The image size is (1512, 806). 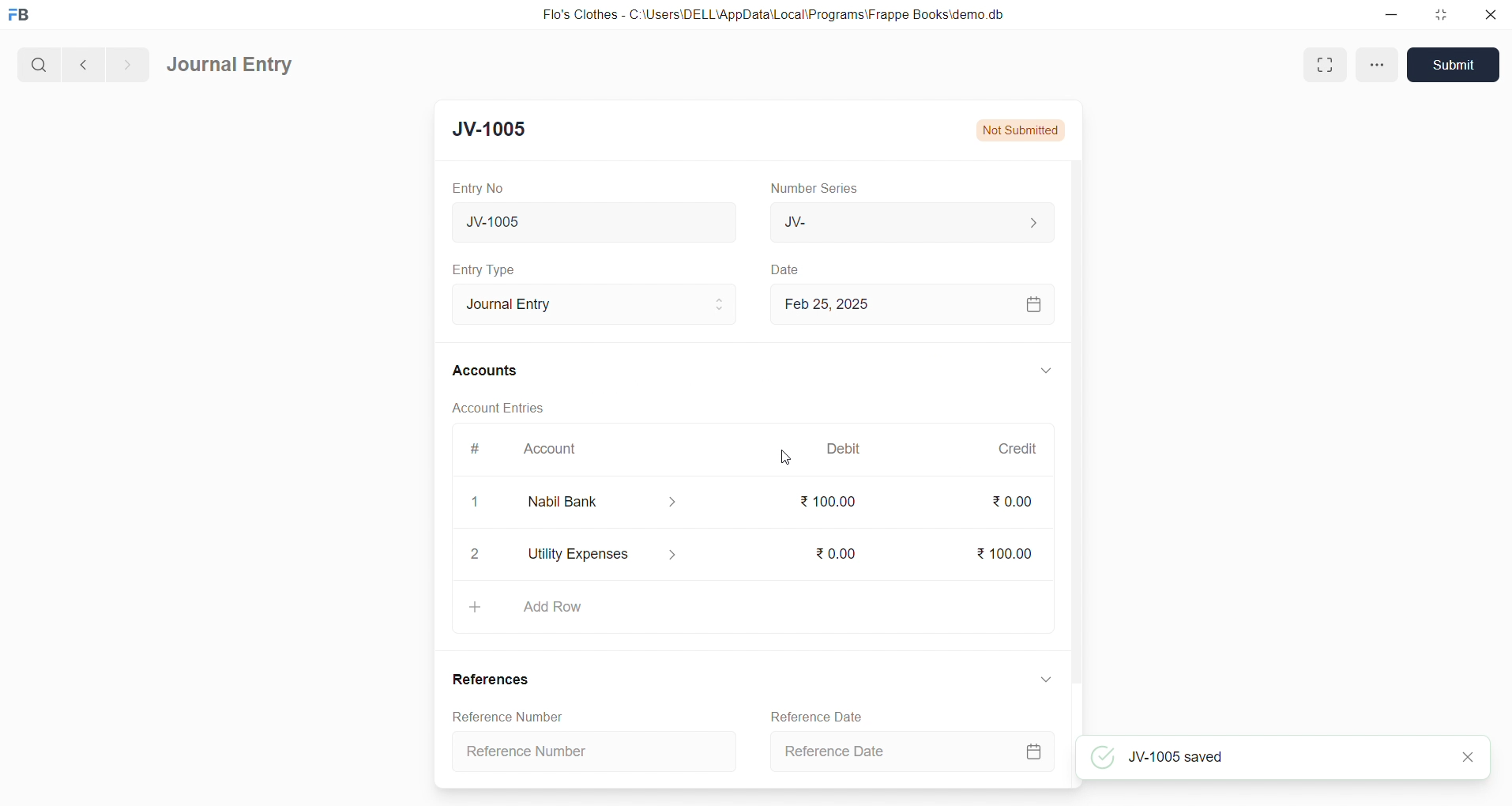 What do you see at coordinates (476, 503) in the screenshot?
I see `closee` at bounding box center [476, 503].